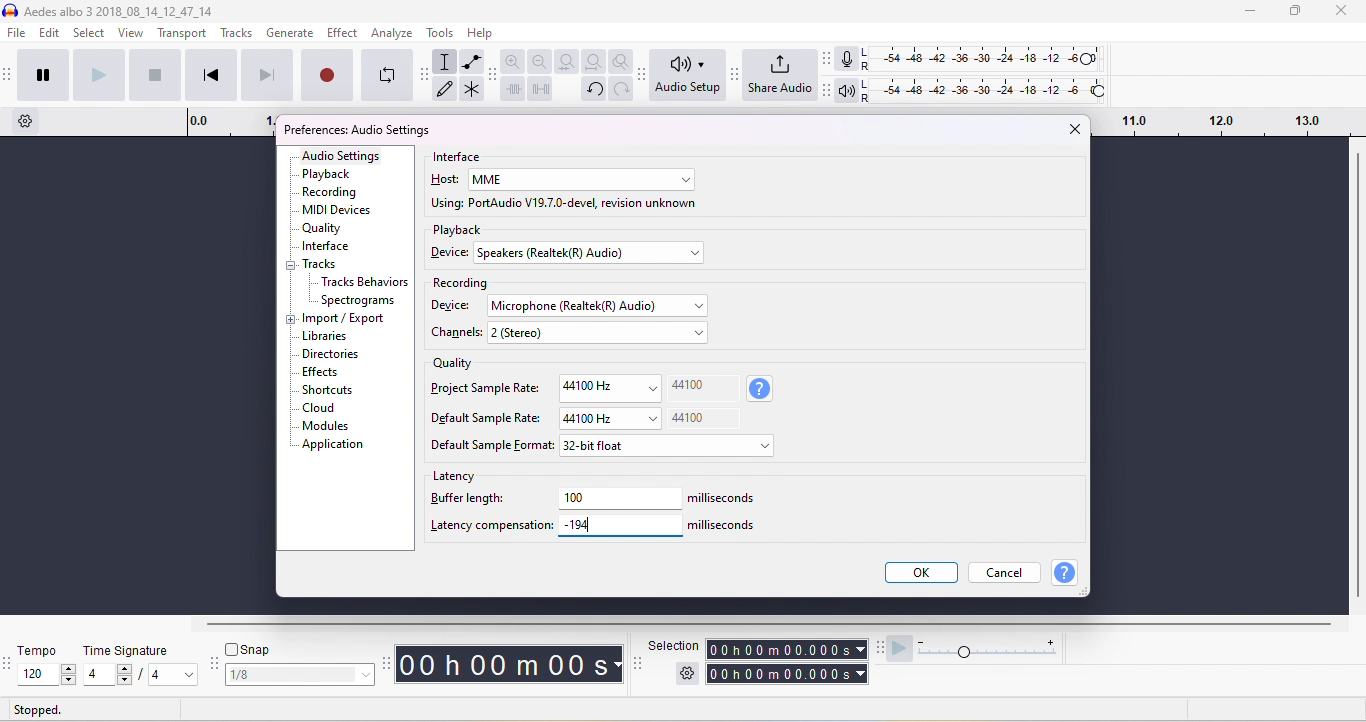 The image size is (1366, 722). I want to click on play, so click(98, 73).